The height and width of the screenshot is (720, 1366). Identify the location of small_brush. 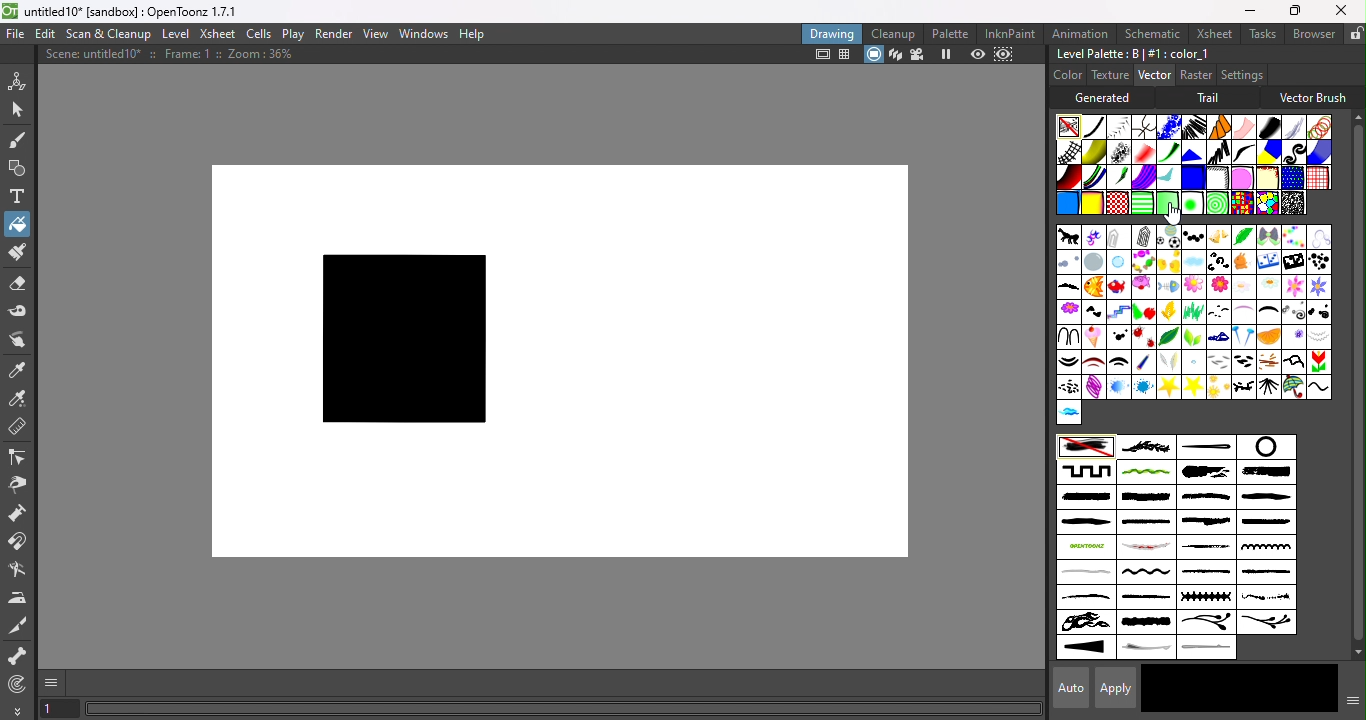
(1208, 574).